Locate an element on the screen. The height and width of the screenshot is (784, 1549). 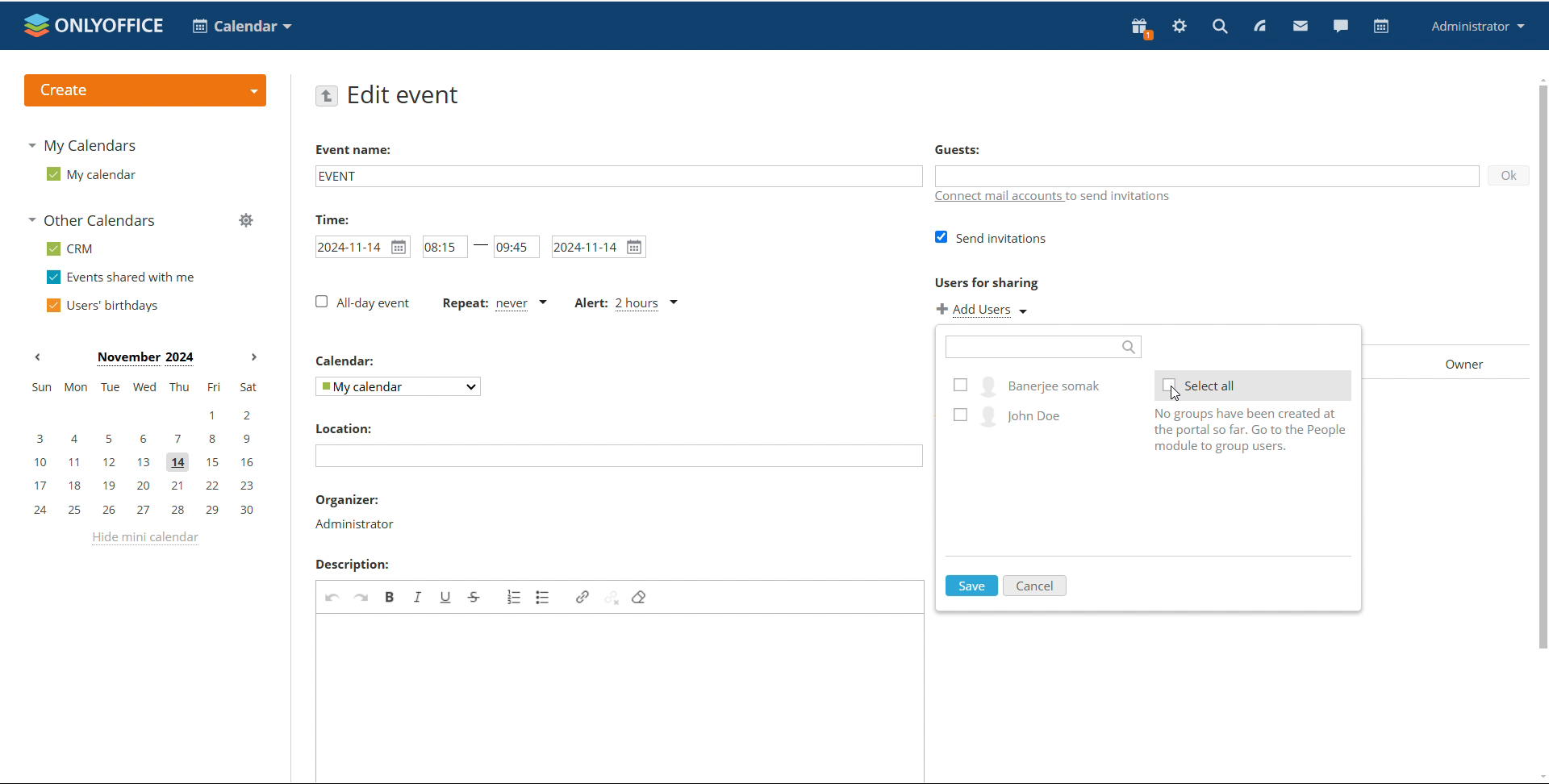
link is located at coordinates (583, 597).